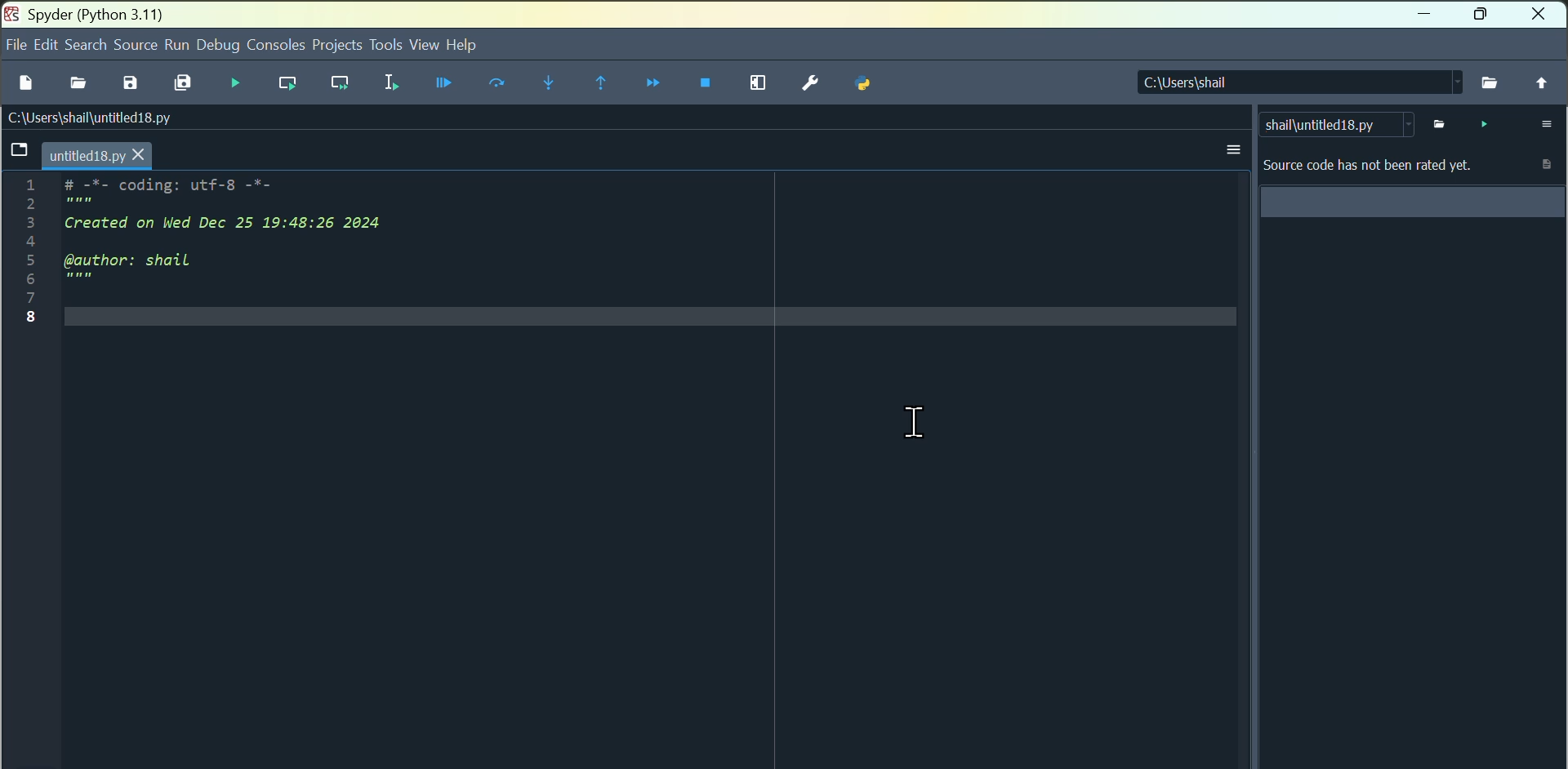 The height and width of the screenshot is (769, 1568). I want to click on options, so click(1233, 150).